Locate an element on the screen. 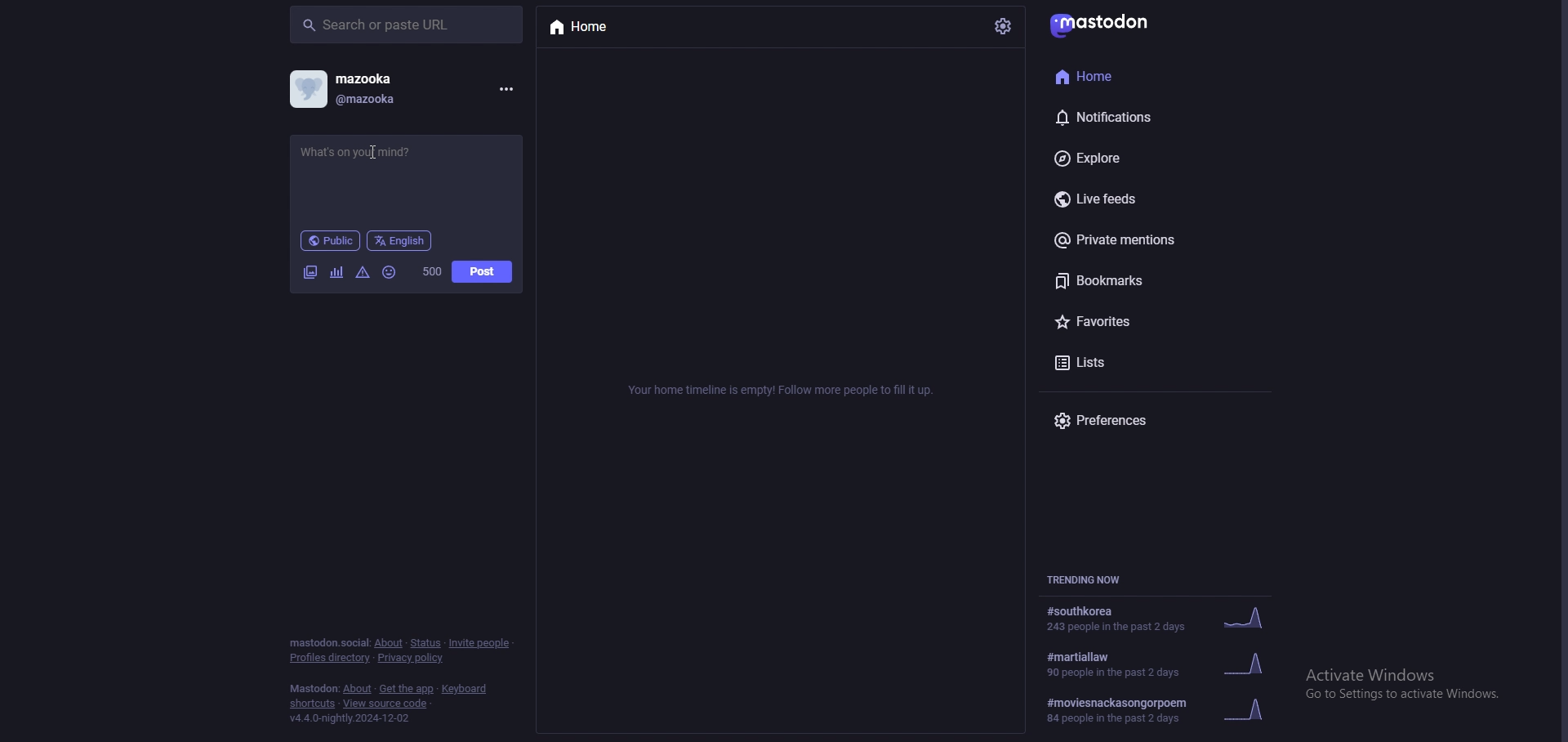 This screenshot has width=1568, height=742. mazooka is located at coordinates (388, 76).